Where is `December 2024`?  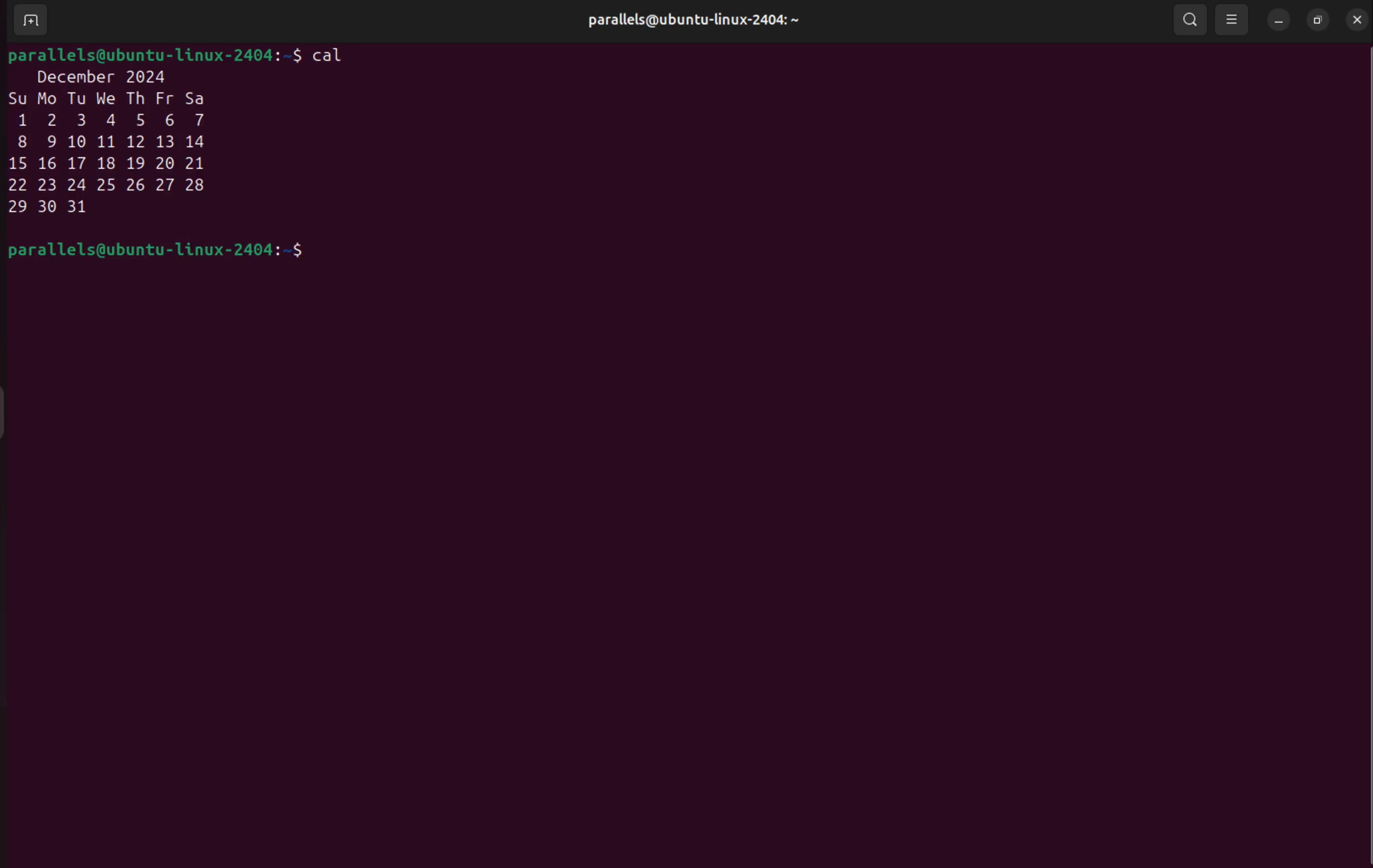
December 2024 is located at coordinates (108, 78).